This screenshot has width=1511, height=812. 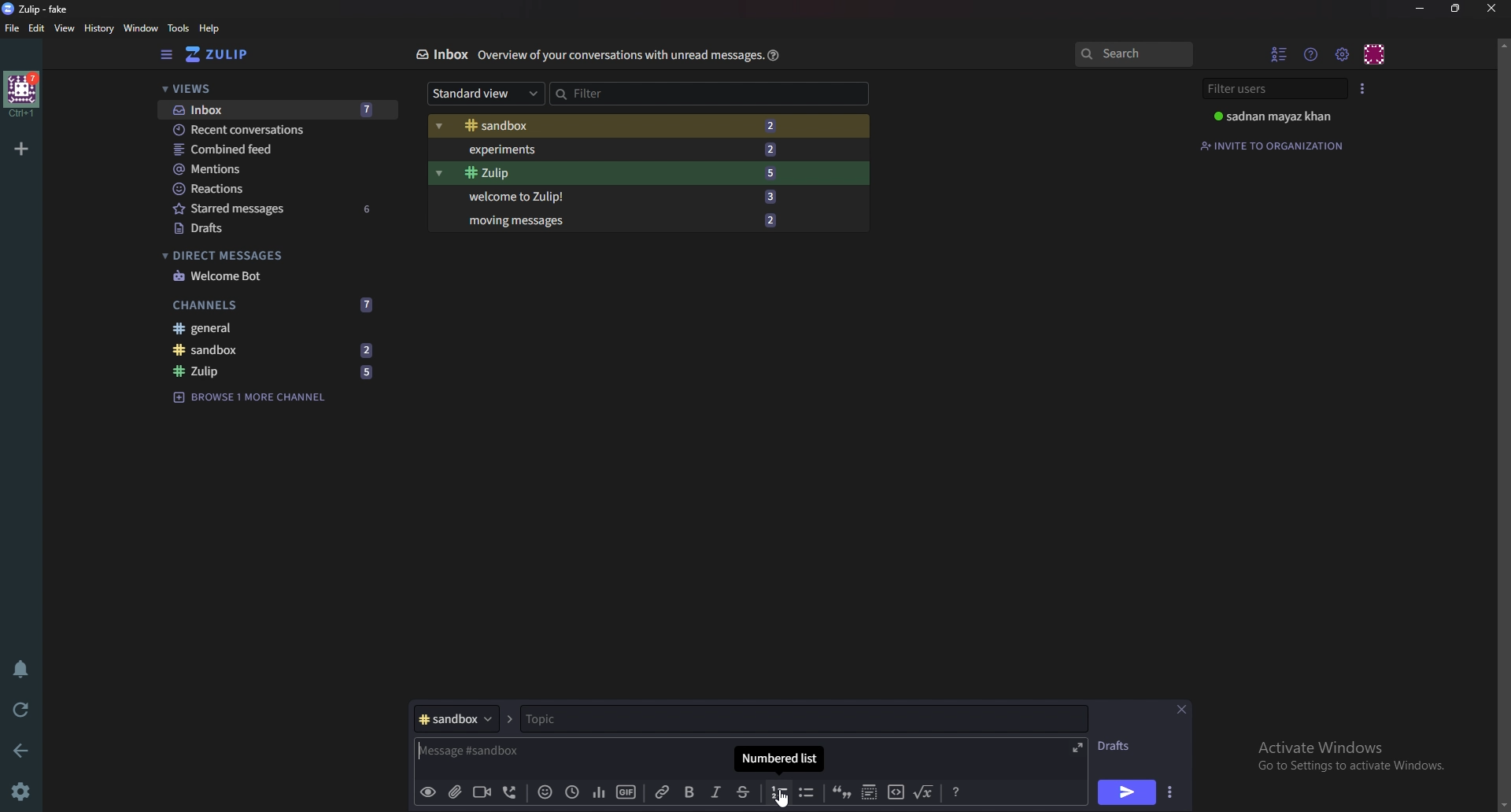 I want to click on gif, so click(x=625, y=790).